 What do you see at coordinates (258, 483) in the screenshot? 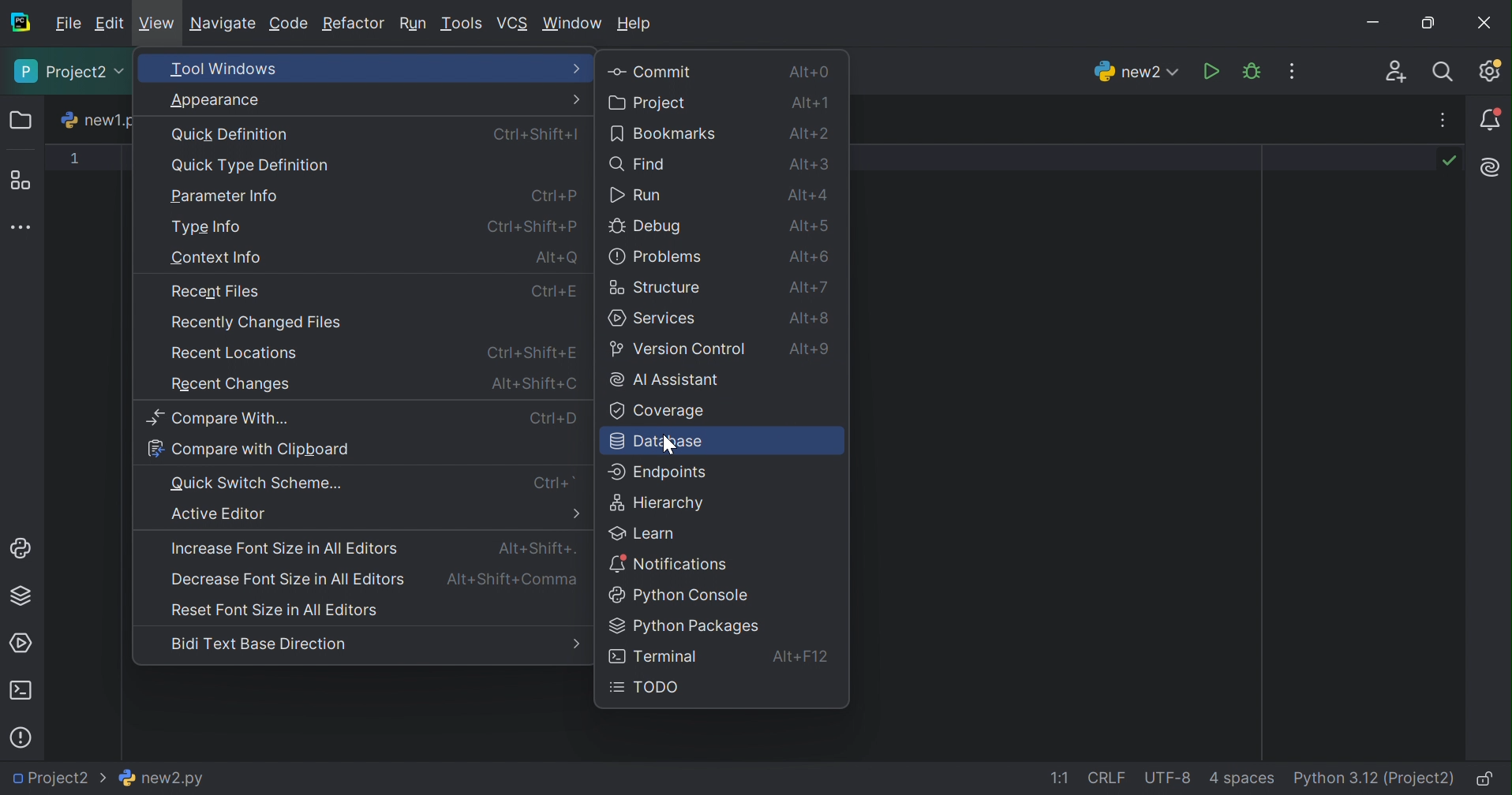
I see `Quick Switch Scheme...` at bounding box center [258, 483].